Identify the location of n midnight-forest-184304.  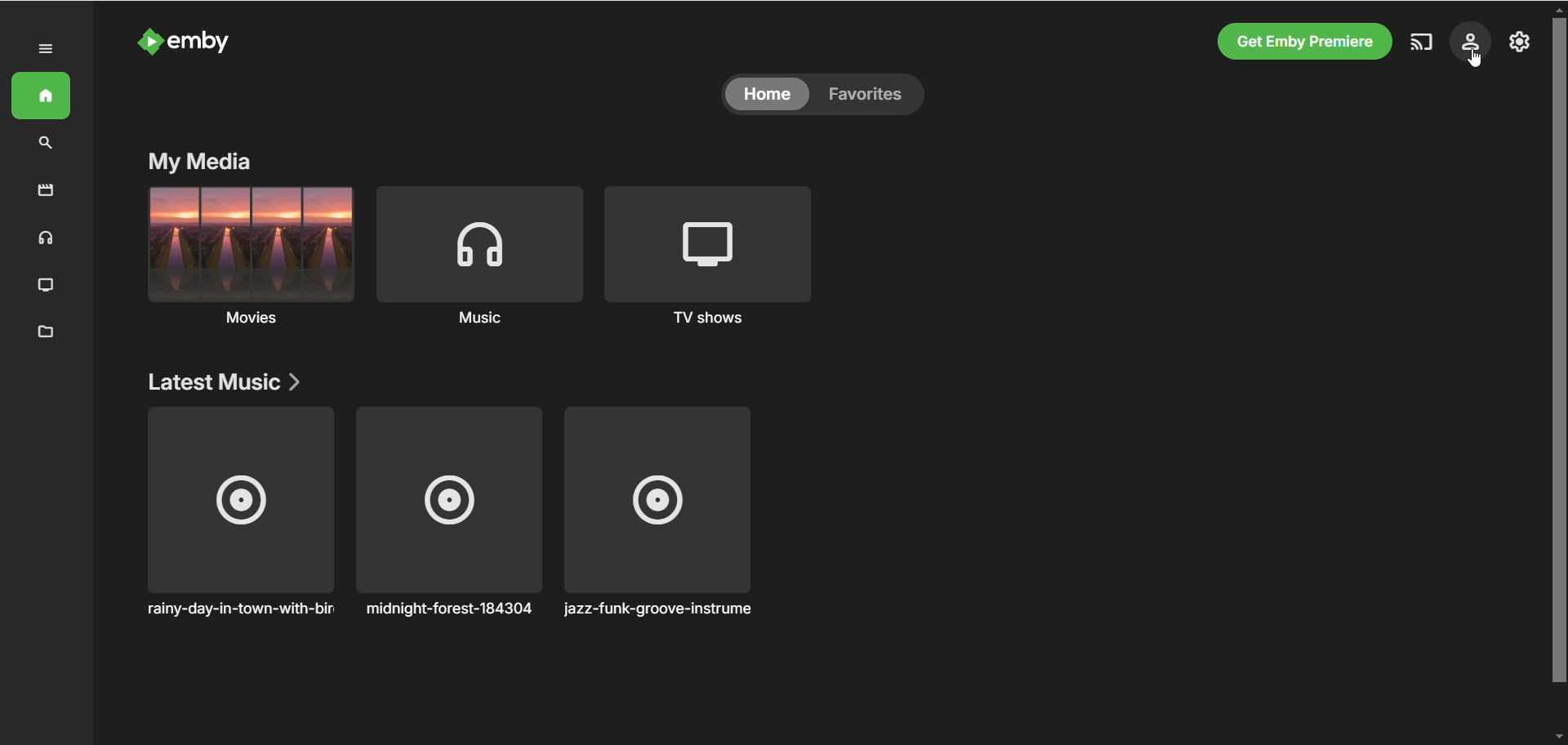
(447, 513).